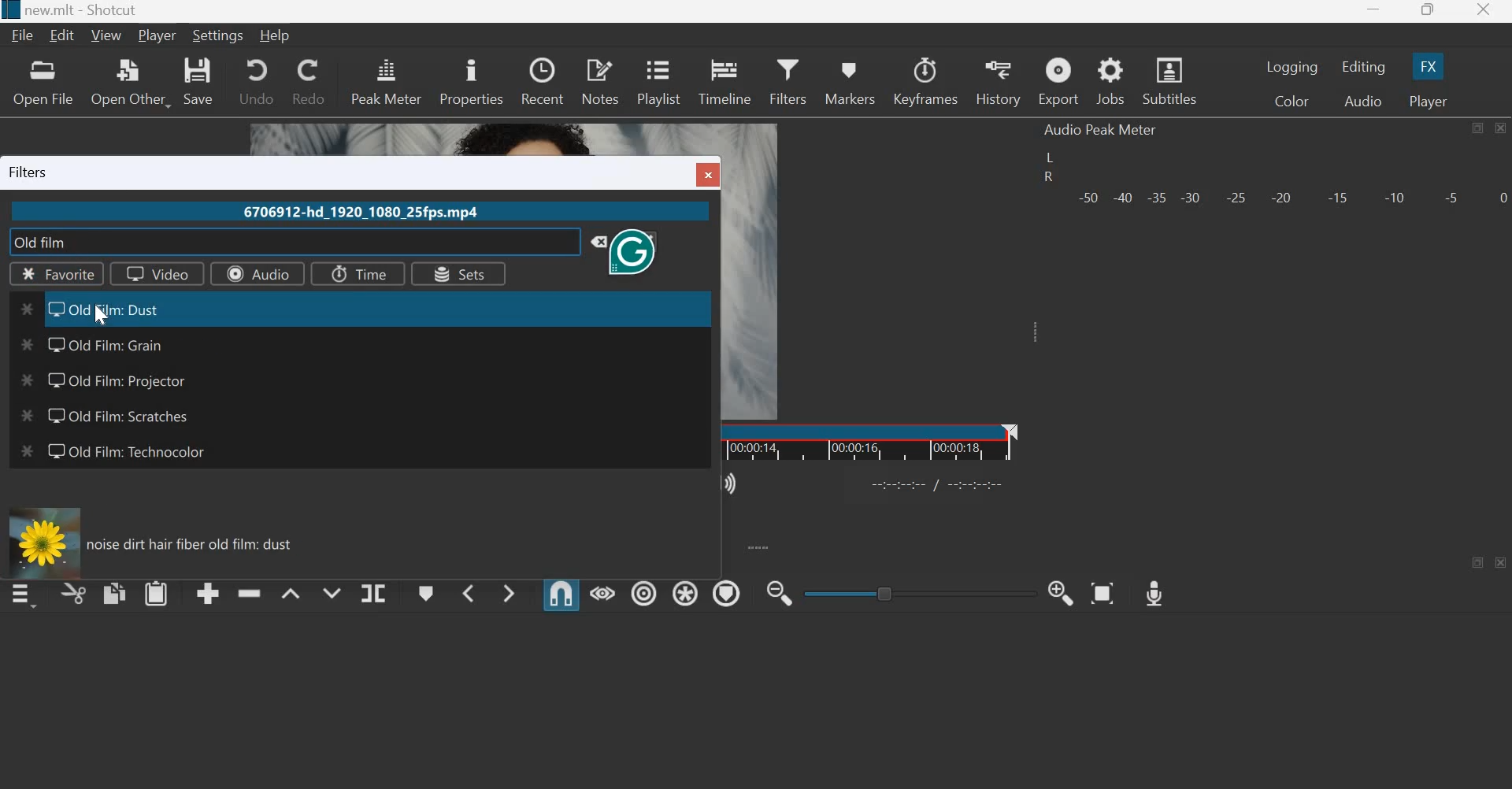 Image resolution: width=1512 pixels, height=789 pixels. Describe the element at coordinates (542, 79) in the screenshot. I see `recent` at that location.